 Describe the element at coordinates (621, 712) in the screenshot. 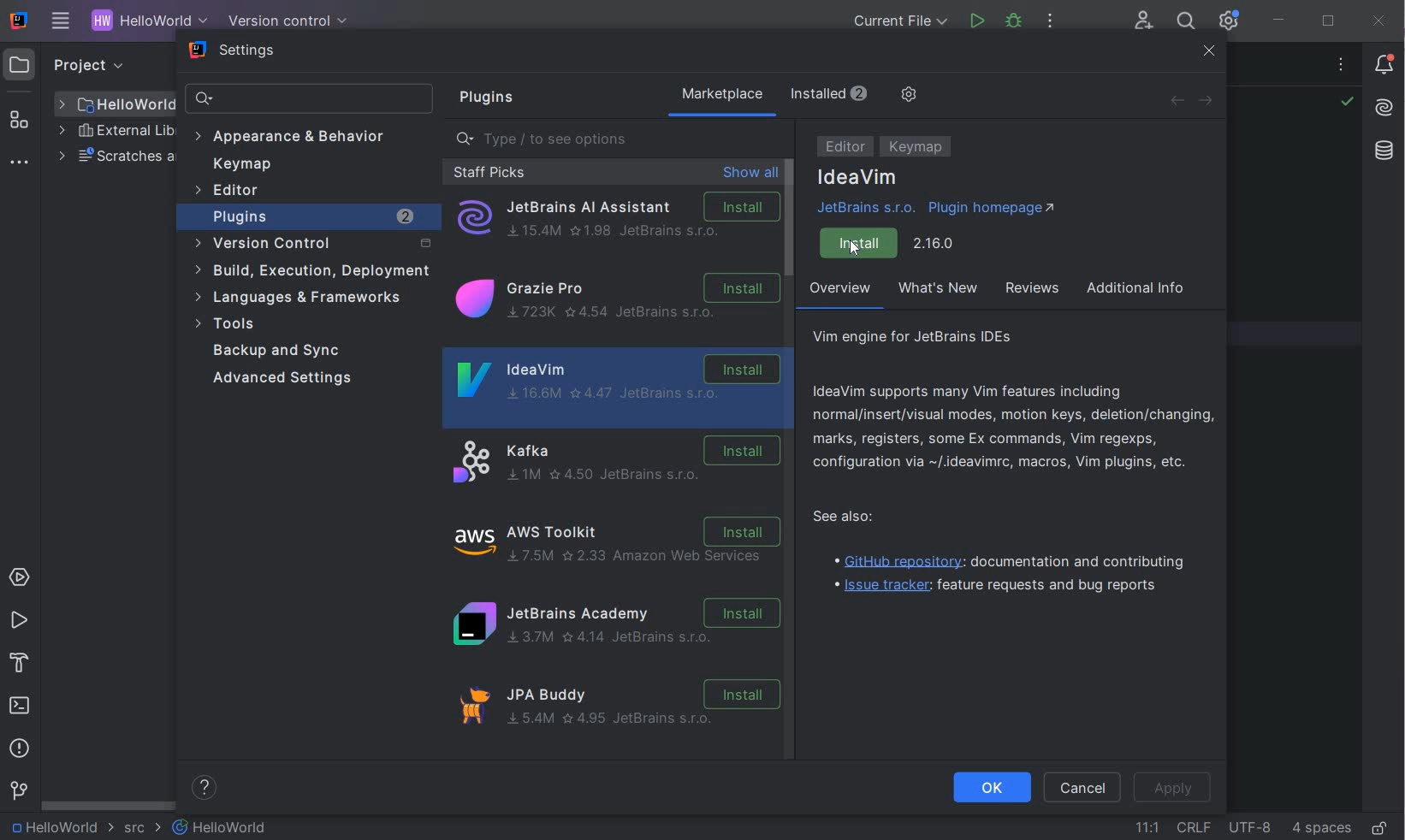

I see `JPA BUDDY Installation` at that location.